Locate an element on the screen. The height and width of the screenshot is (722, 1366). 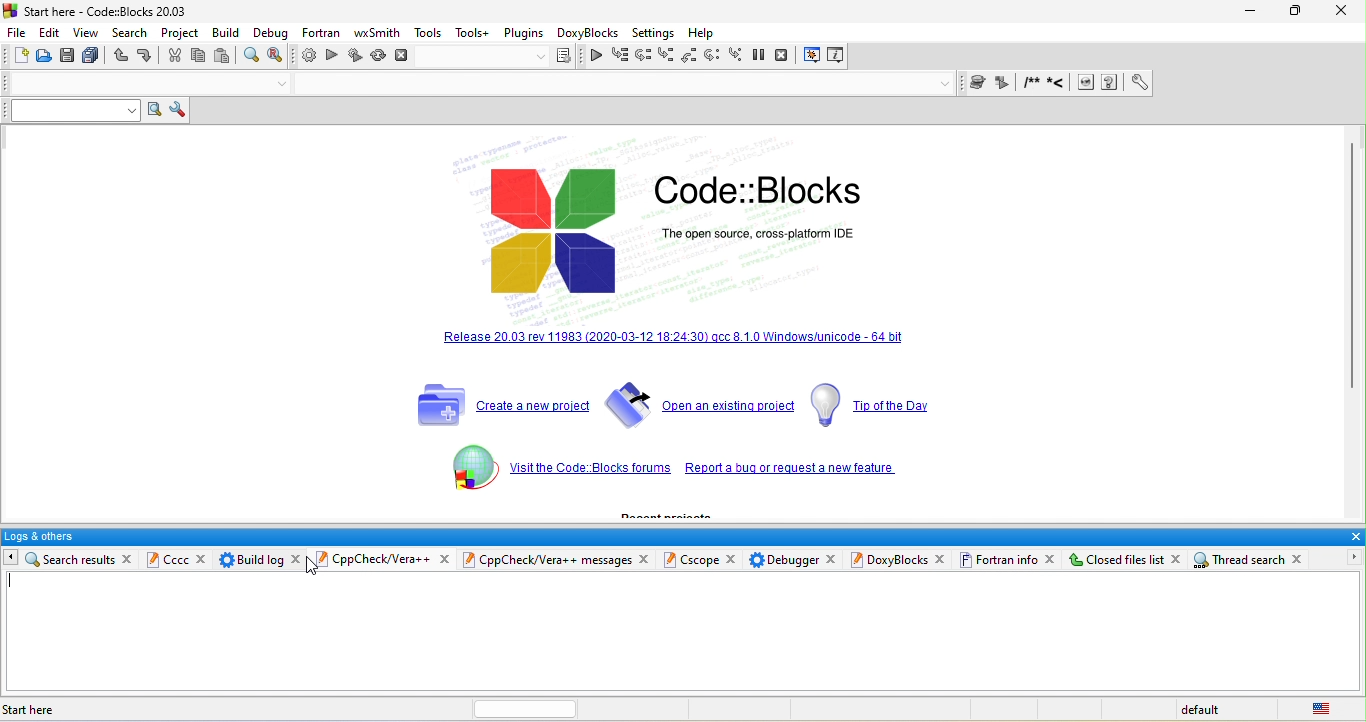
united state is located at coordinates (1319, 708).